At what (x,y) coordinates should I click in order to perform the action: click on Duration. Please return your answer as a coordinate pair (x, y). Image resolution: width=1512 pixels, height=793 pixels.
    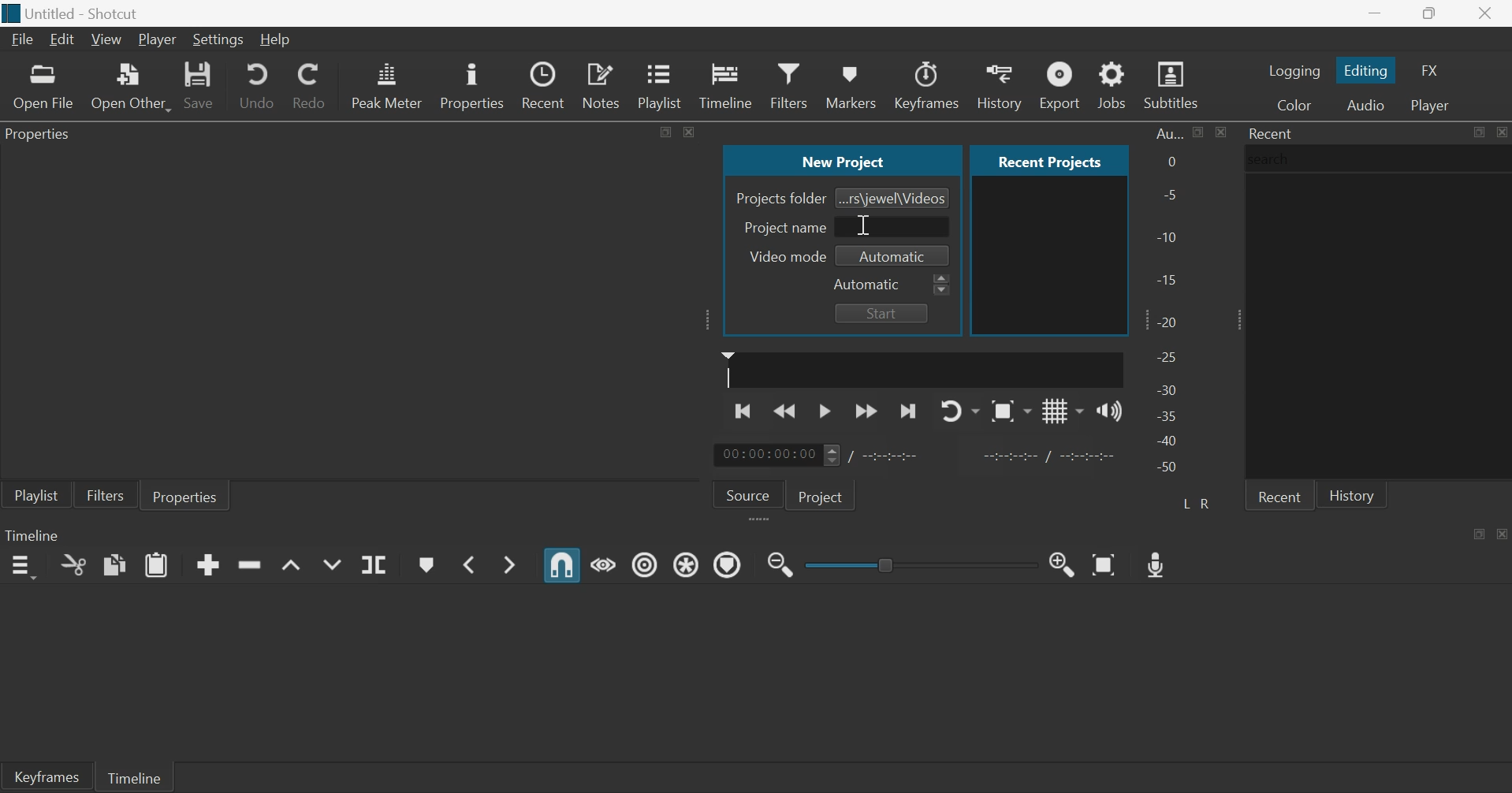
    Looking at the image, I should click on (892, 456).